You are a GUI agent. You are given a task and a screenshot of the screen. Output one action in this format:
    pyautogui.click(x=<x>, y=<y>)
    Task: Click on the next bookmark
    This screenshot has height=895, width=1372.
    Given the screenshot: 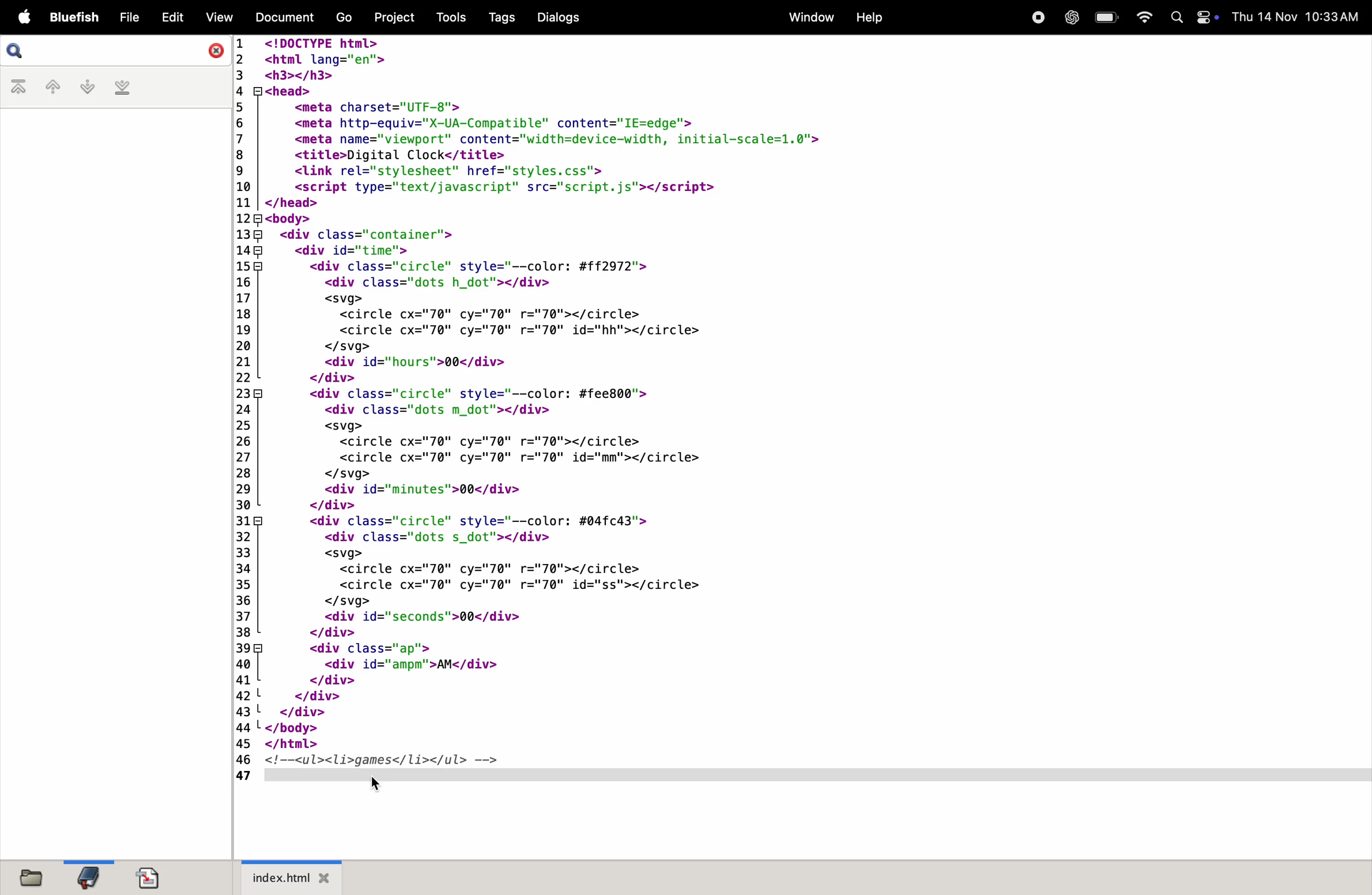 What is the action you would take?
    pyautogui.click(x=86, y=87)
    